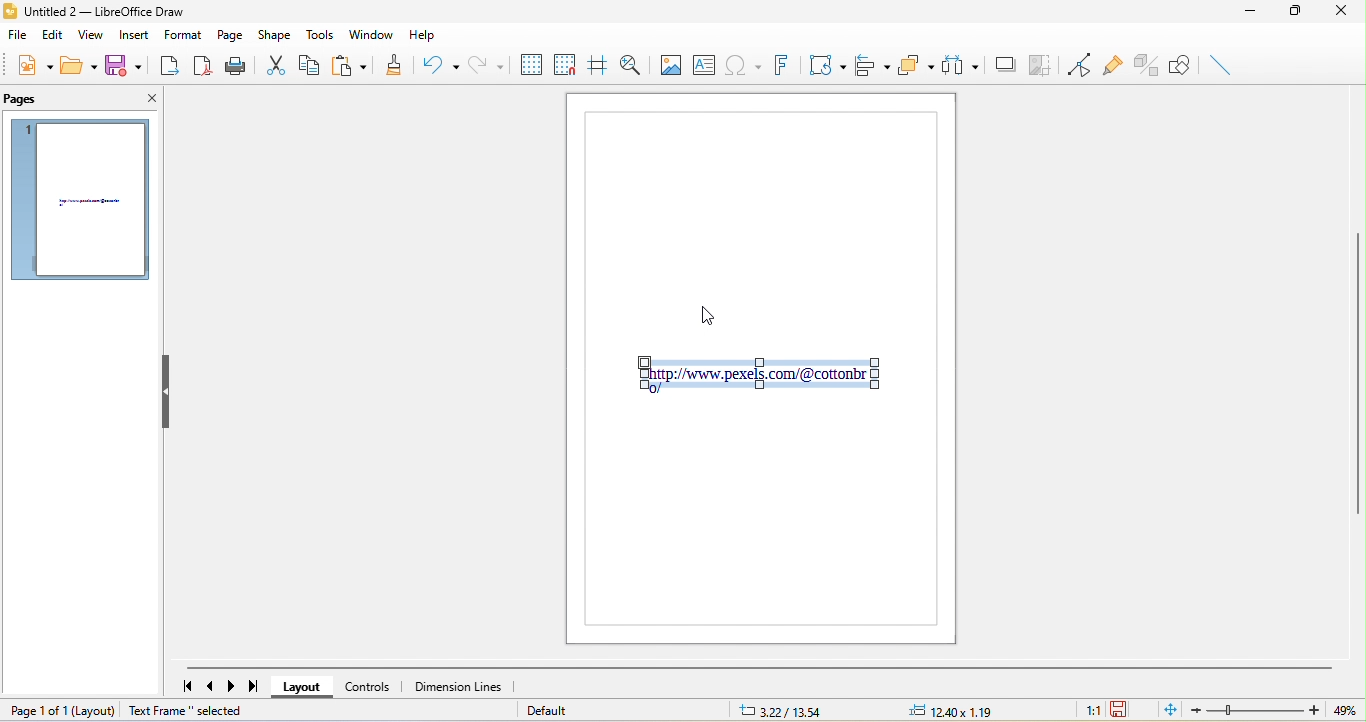 The image size is (1366, 722). Describe the element at coordinates (746, 66) in the screenshot. I see `special character` at that location.